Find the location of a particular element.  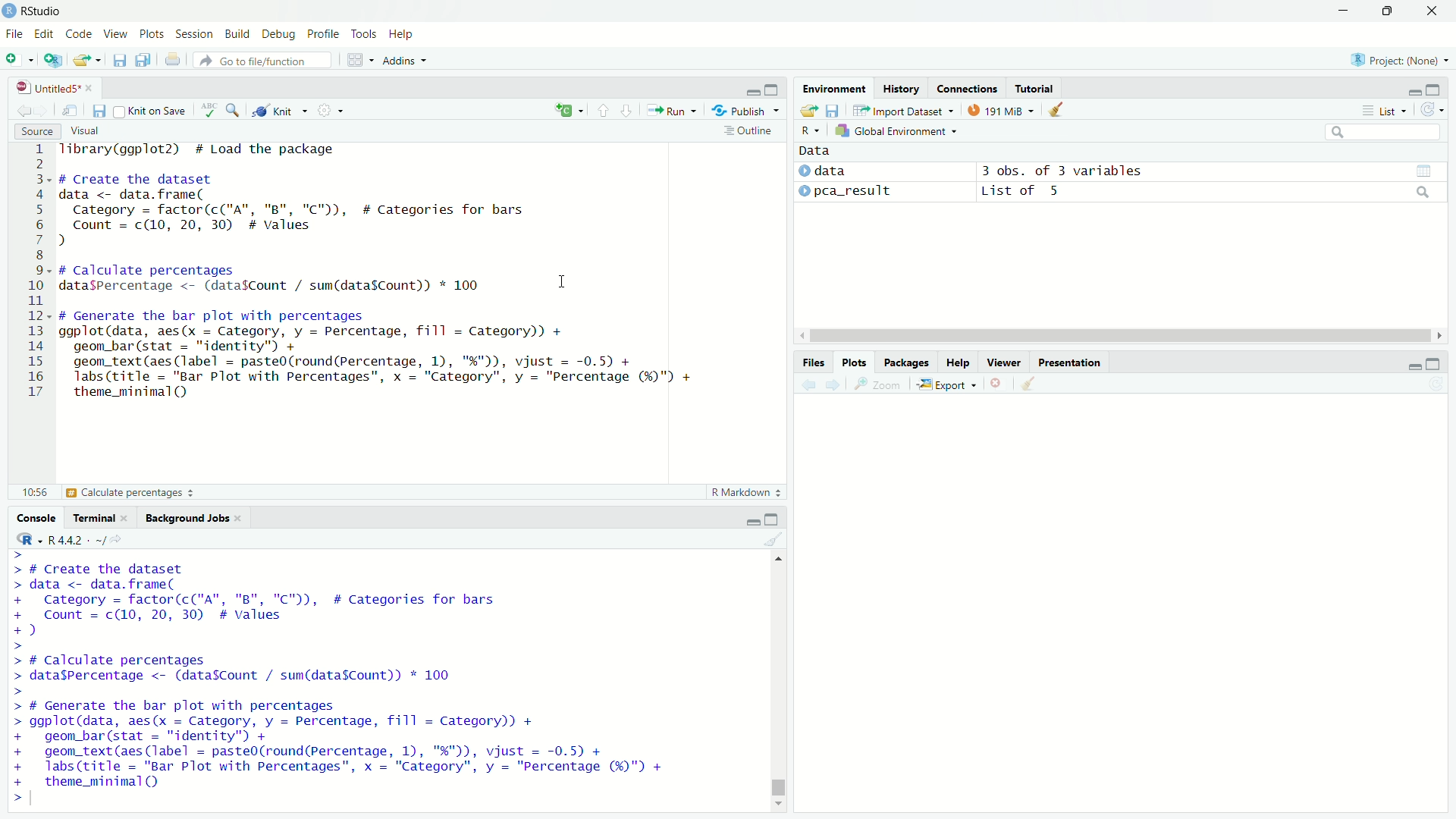

viewer is located at coordinates (1003, 362).